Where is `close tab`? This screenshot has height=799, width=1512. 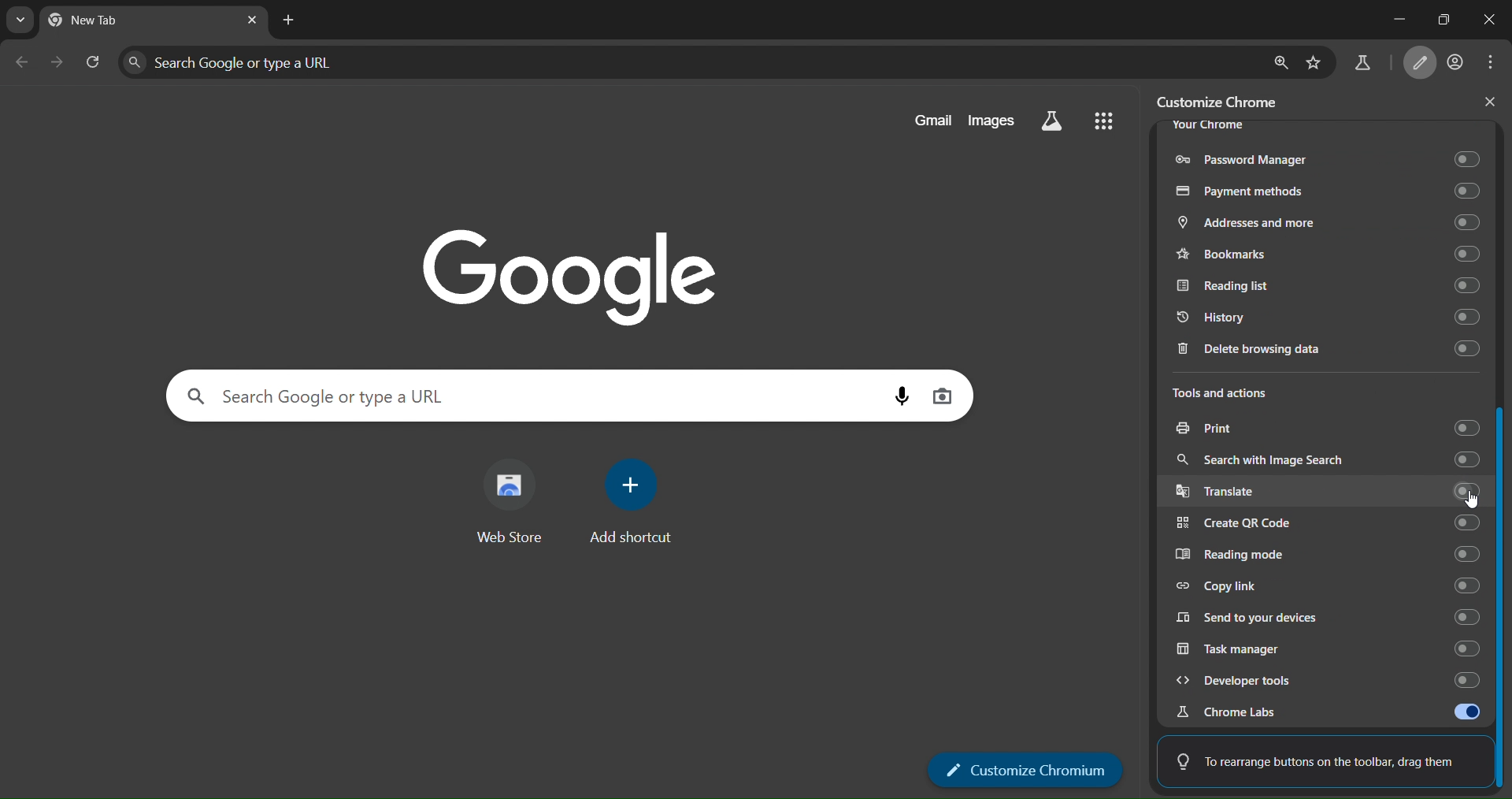
close tab is located at coordinates (251, 20).